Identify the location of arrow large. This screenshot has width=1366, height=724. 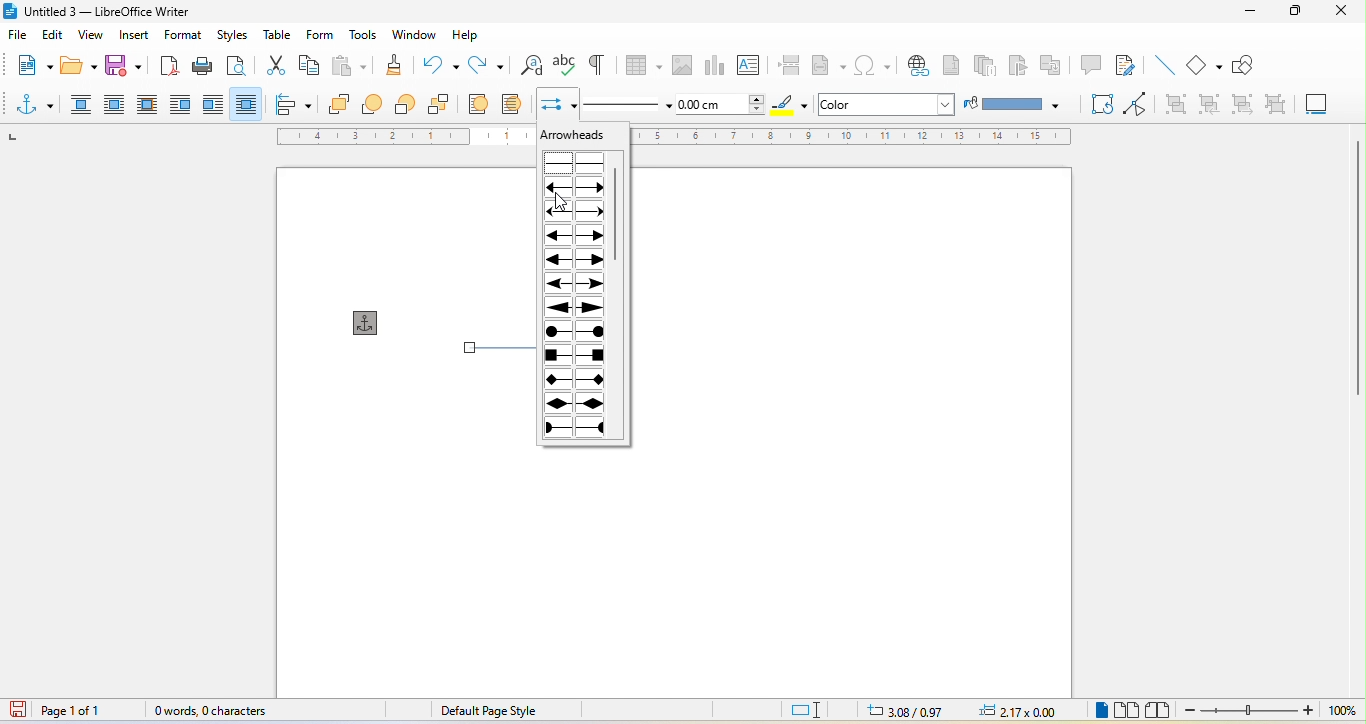
(578, 308).